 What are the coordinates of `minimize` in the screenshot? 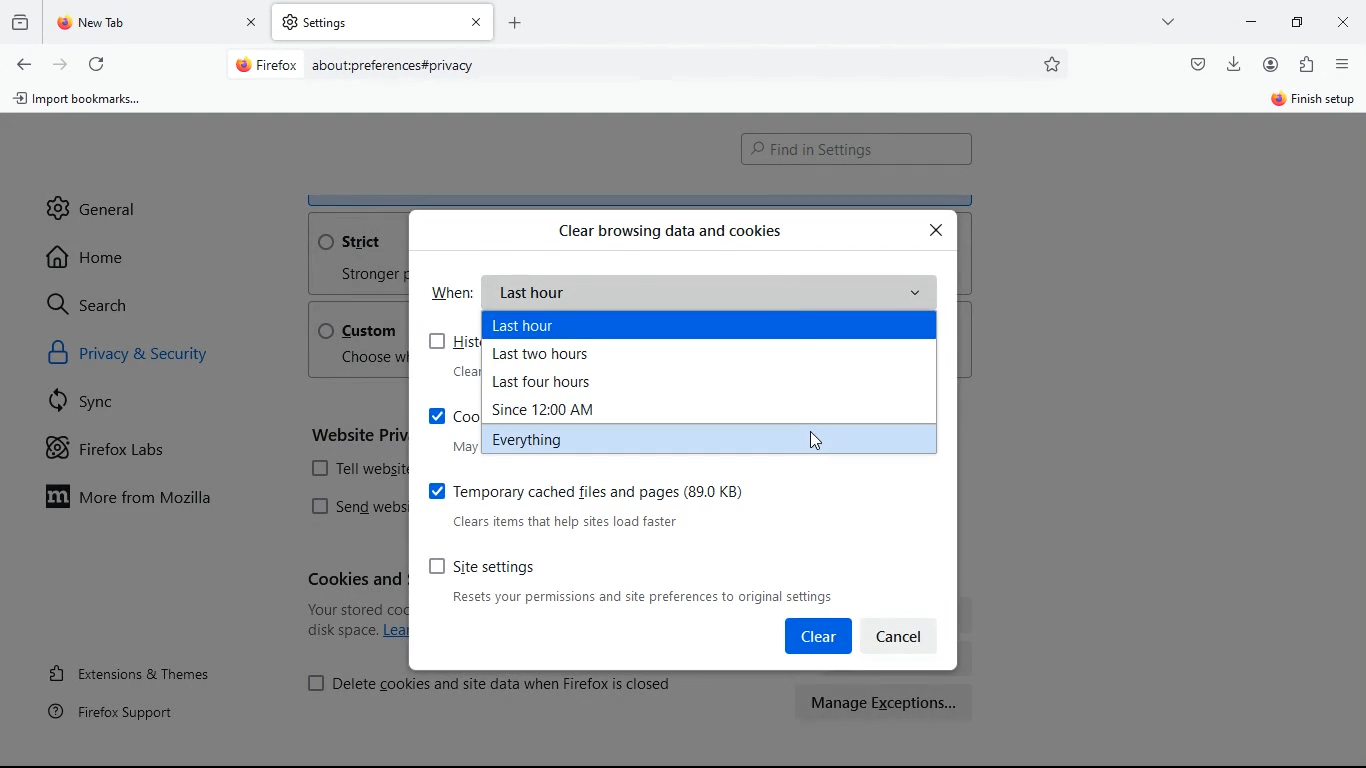 It's located at (1251, 20).